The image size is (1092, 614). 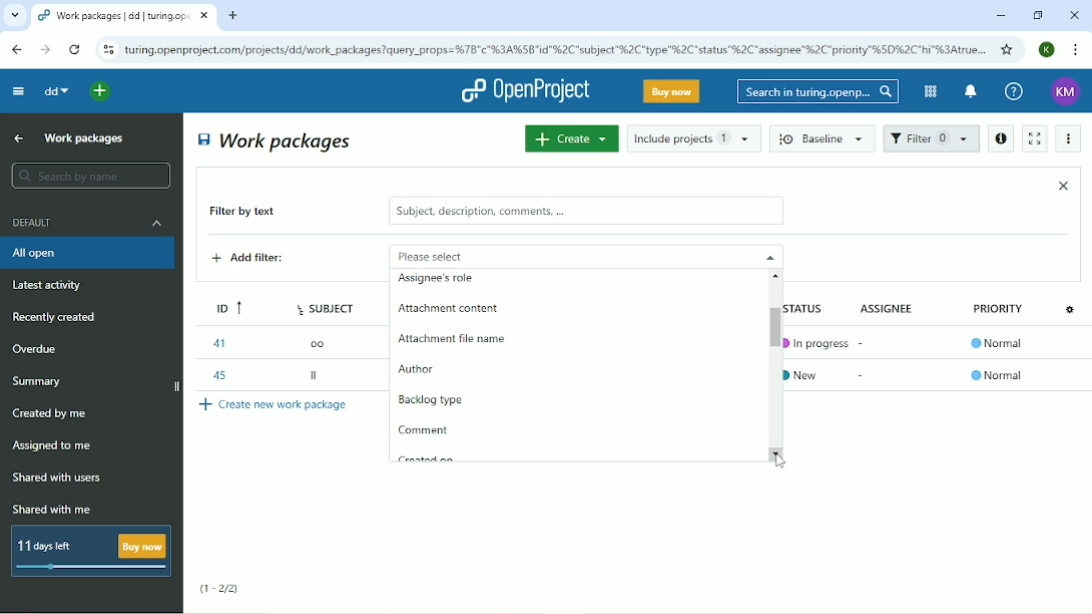 I want to click on Create, so click(x=571, y=138).